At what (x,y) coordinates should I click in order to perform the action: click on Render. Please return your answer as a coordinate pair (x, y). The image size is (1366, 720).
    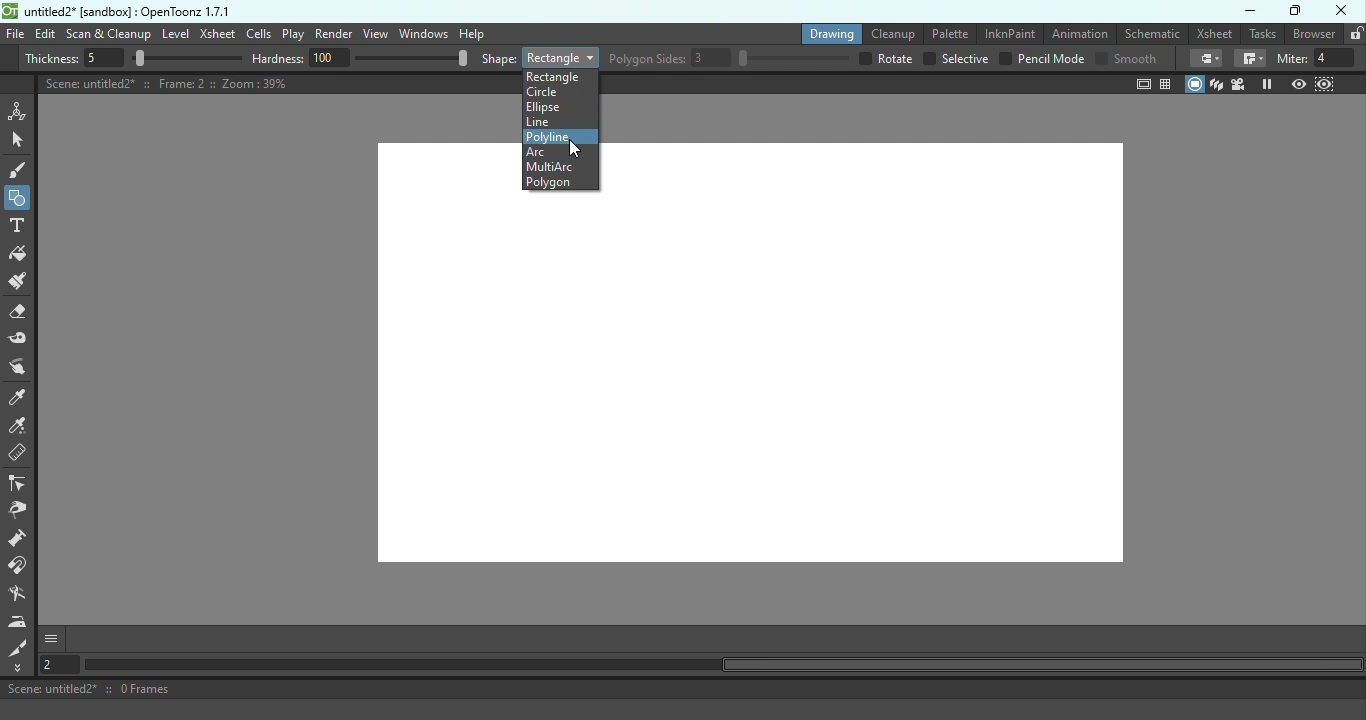
    Looking at the image, I should click on (334, 34).